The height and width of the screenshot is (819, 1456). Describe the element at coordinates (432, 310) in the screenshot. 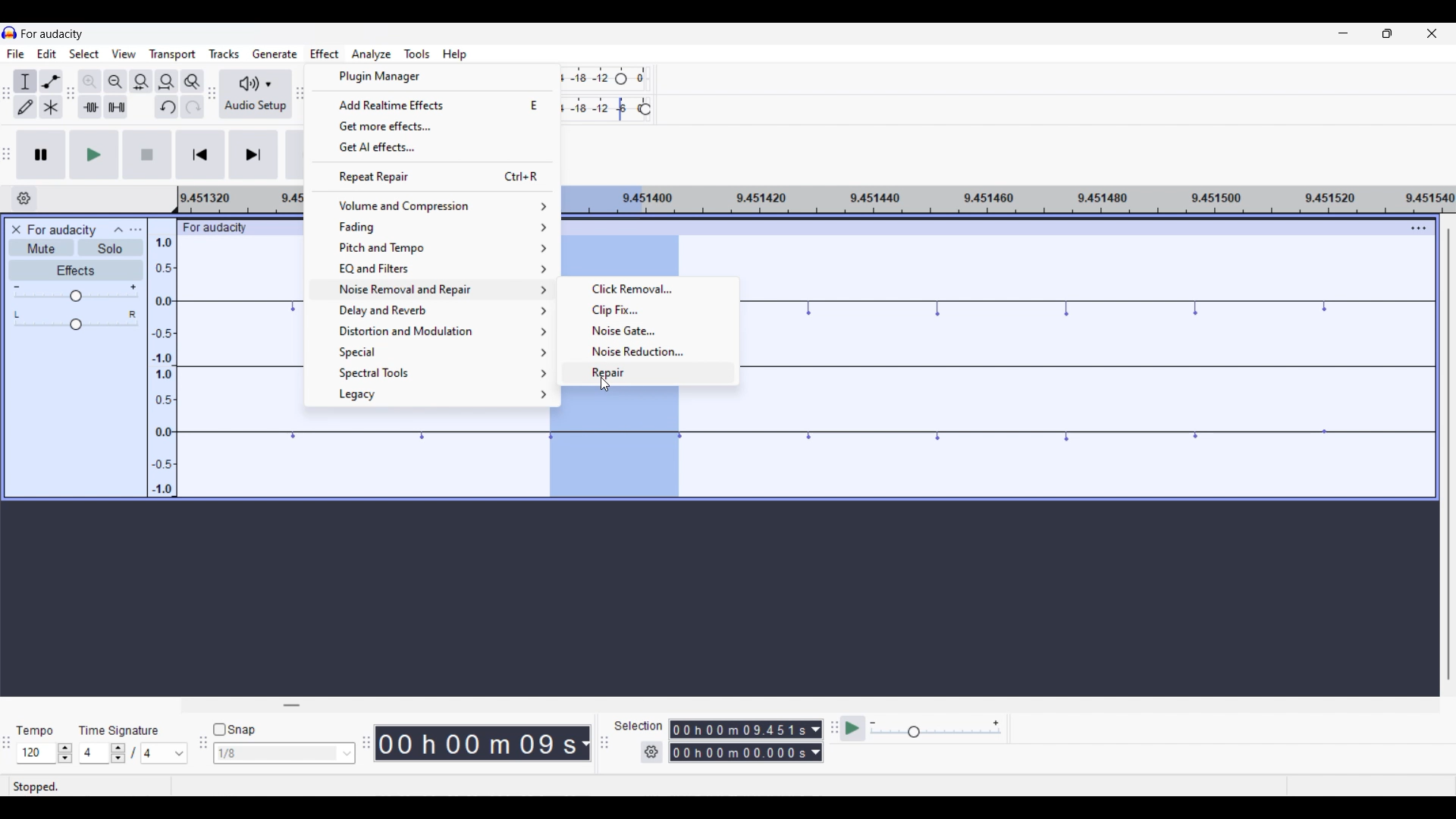

I see `Delay and reverb options` at that location.